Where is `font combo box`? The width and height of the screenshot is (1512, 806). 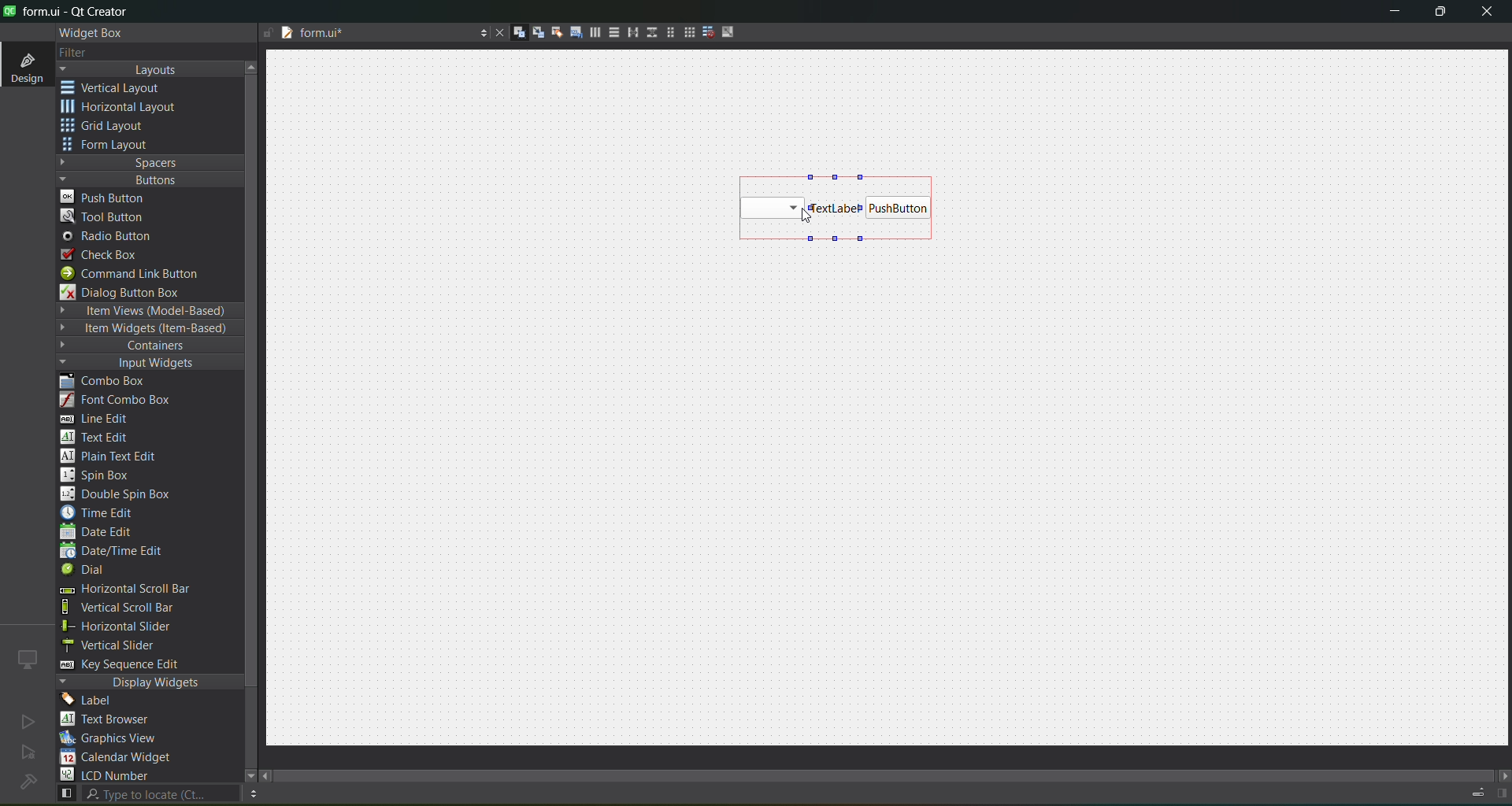
font combo box is located at coordinates (121, 401).